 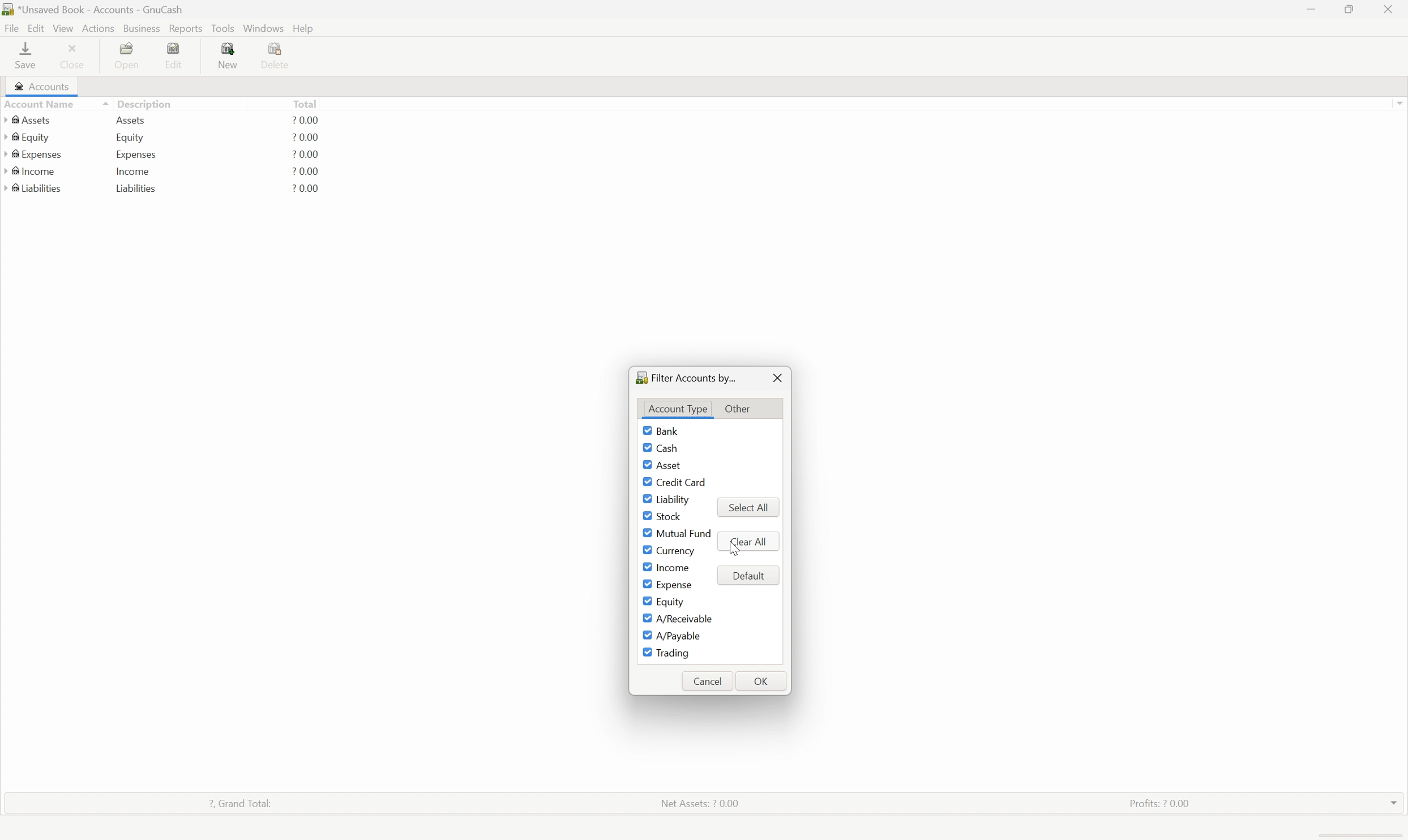 I want to click on help, so click(x=305, y=29).